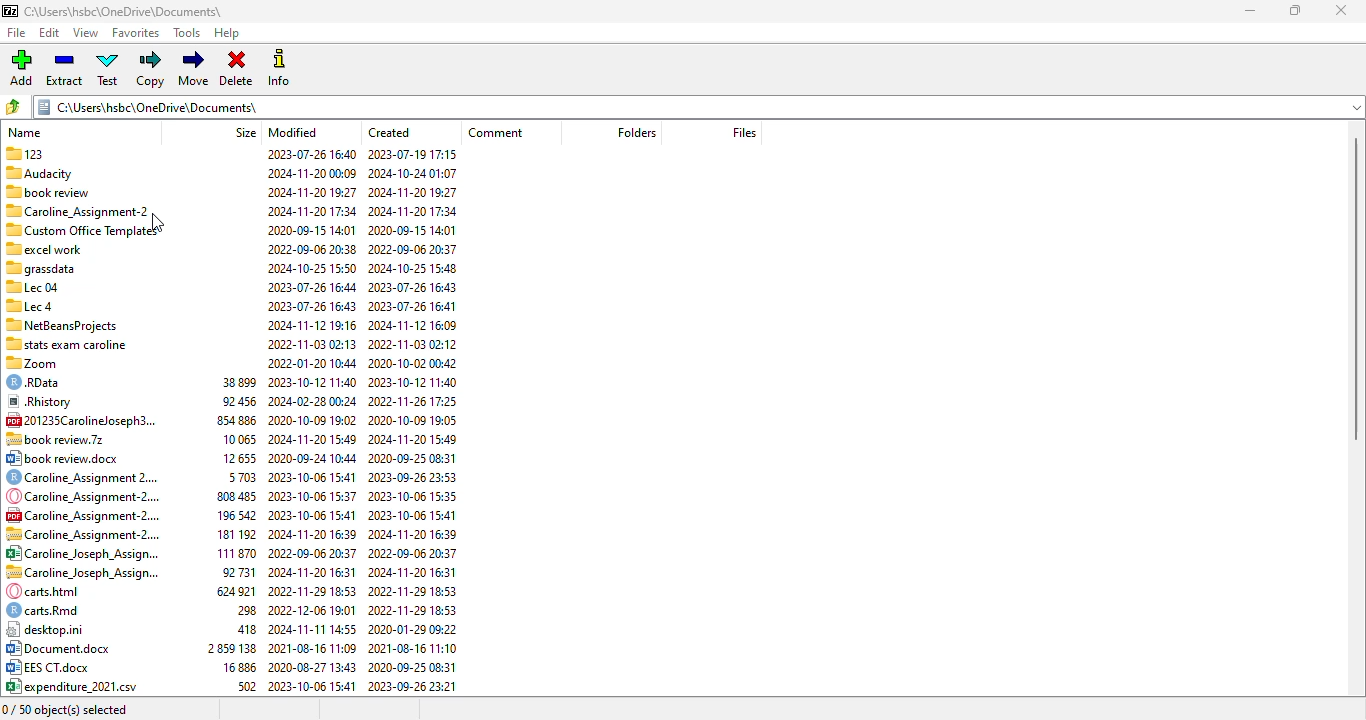 This screenshot has height=720, width=1366. Describe the element at coordinates (744, 131) in the screenshot. I see `files` at that location.